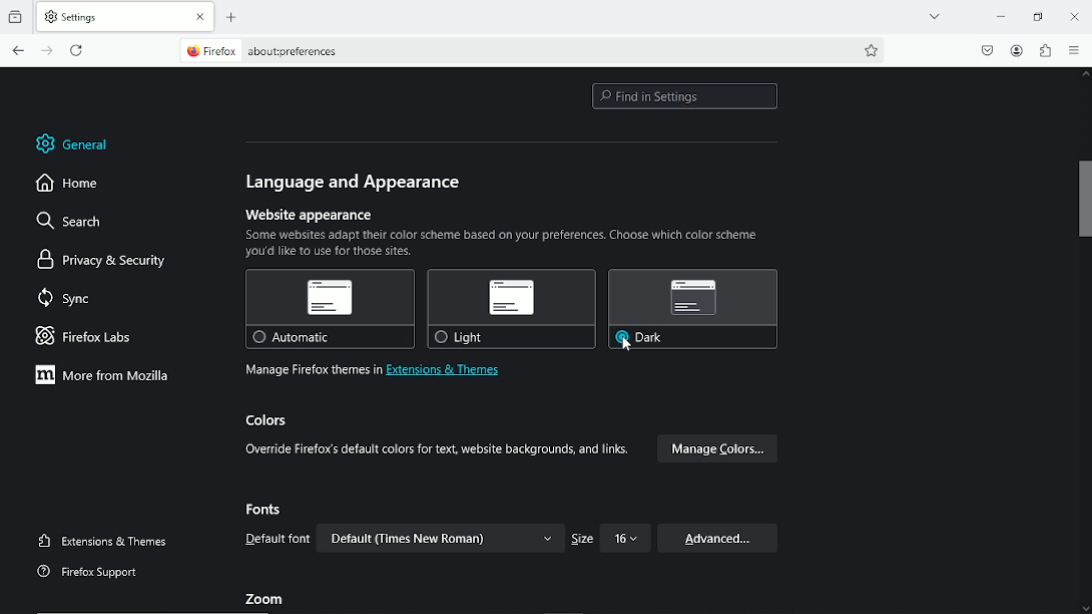  What do you see at coordinates (126, 16) in the screenshot?
I see `current tab` at bounding box center [126, 16].